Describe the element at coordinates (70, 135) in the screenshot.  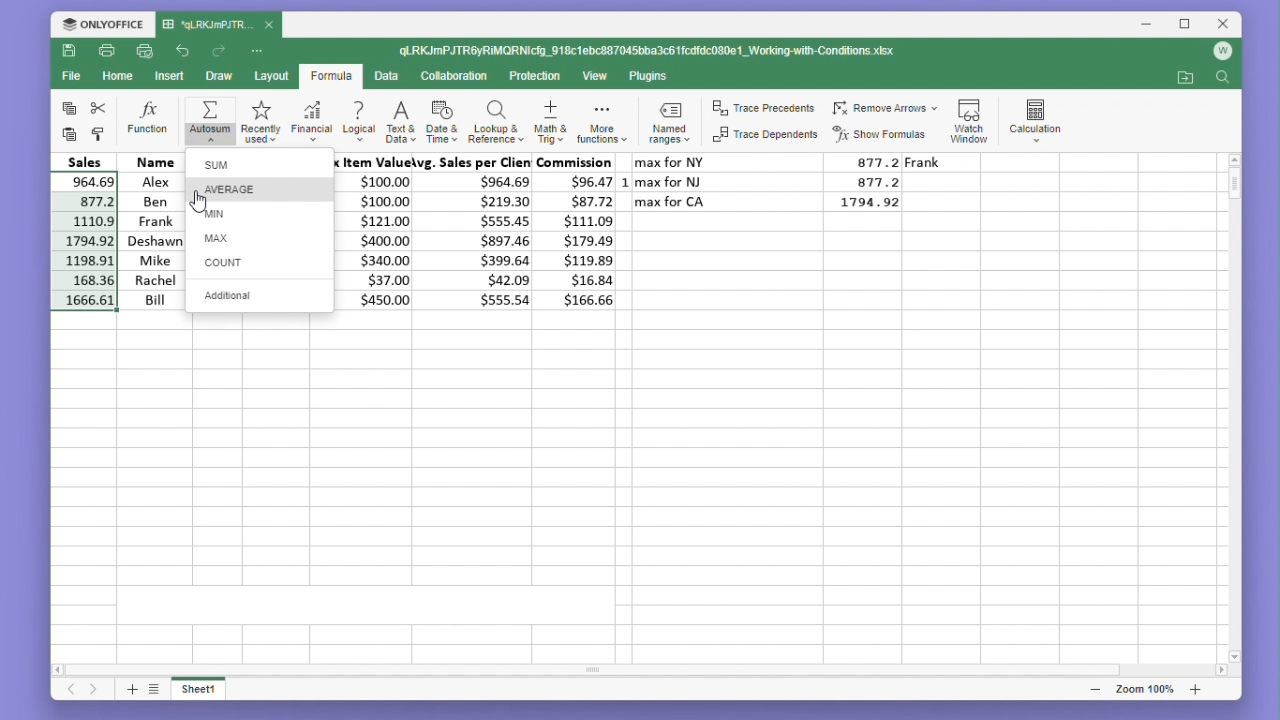
I see `paste` at that location.